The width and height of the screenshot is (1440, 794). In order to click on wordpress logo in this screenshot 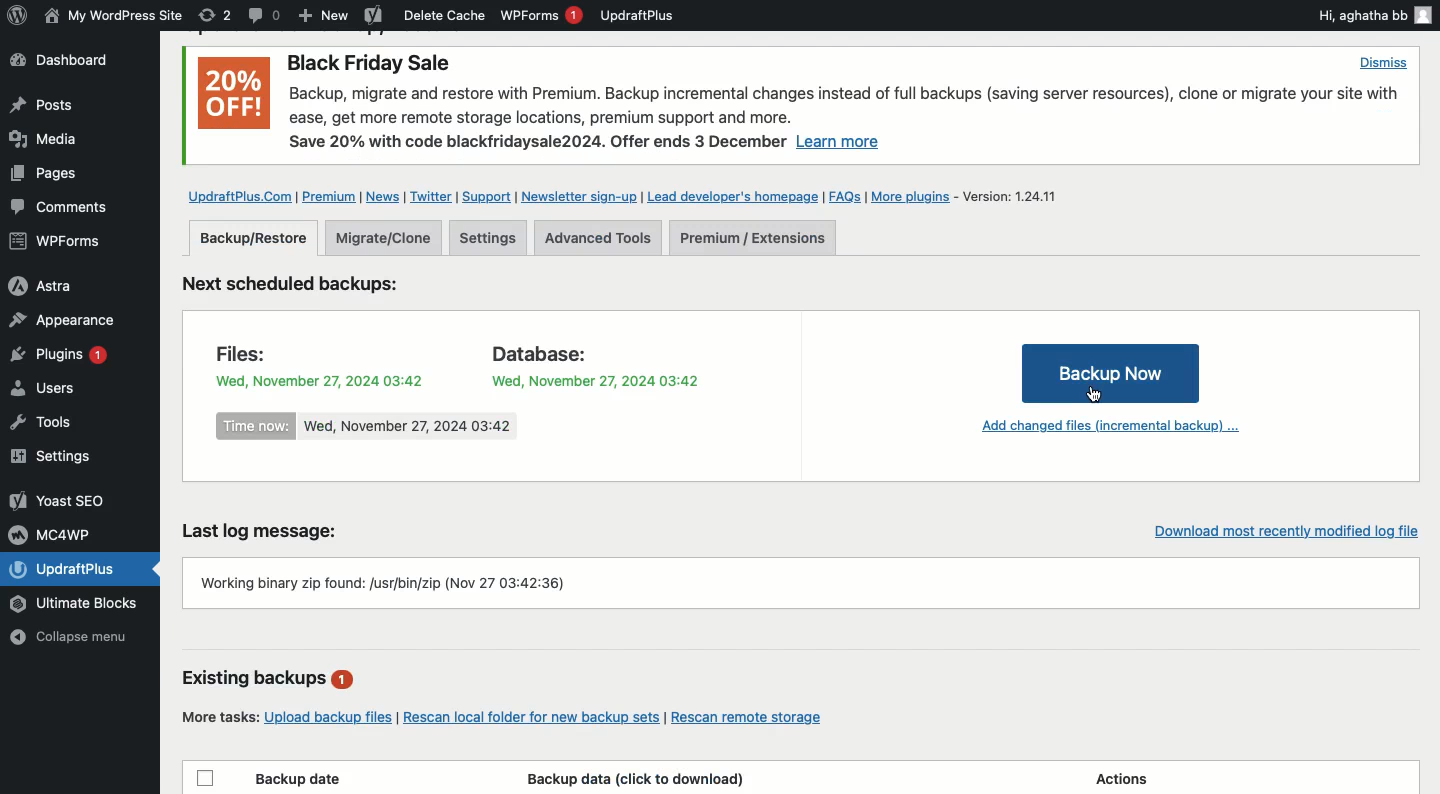, I will do `click(17, 15)`.